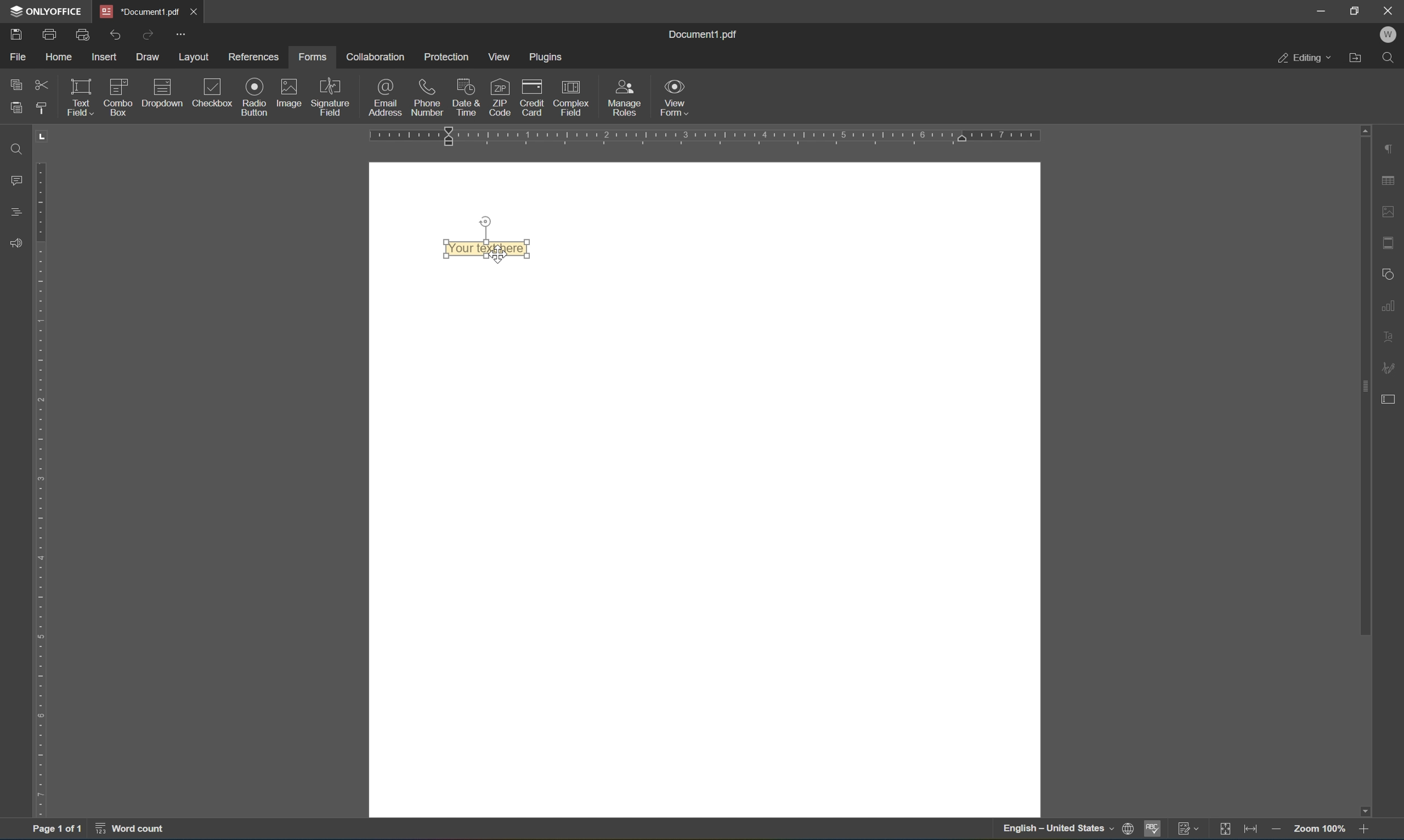 This screenshot has height=840, width=1404. What do you see at coordinates (1364, 829) in the screenshot?
I see `zoom in` at bounding box center [1364, 829].